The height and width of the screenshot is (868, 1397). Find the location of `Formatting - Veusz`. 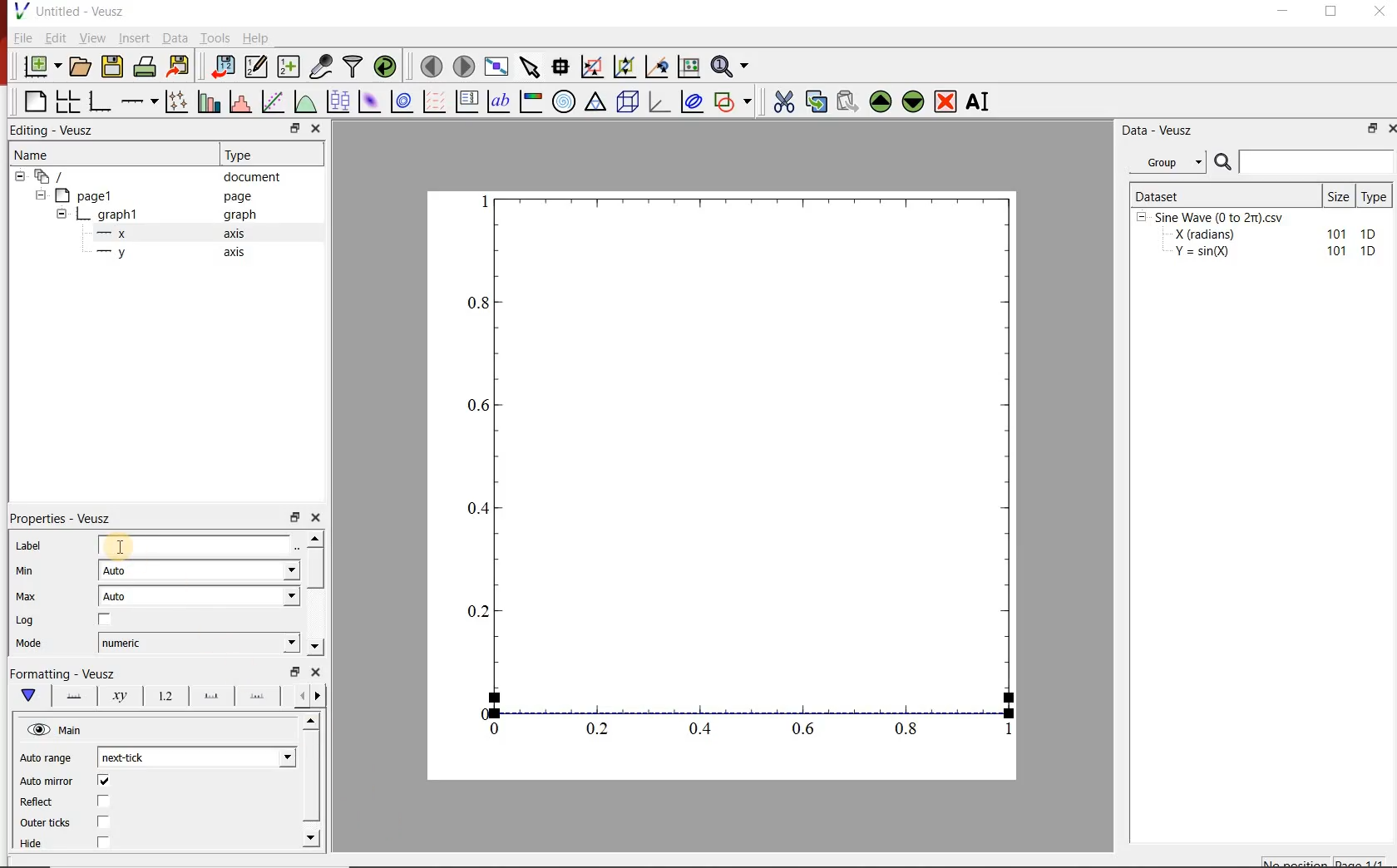

Formatting - Veusz is located at coordinates (62, 672).